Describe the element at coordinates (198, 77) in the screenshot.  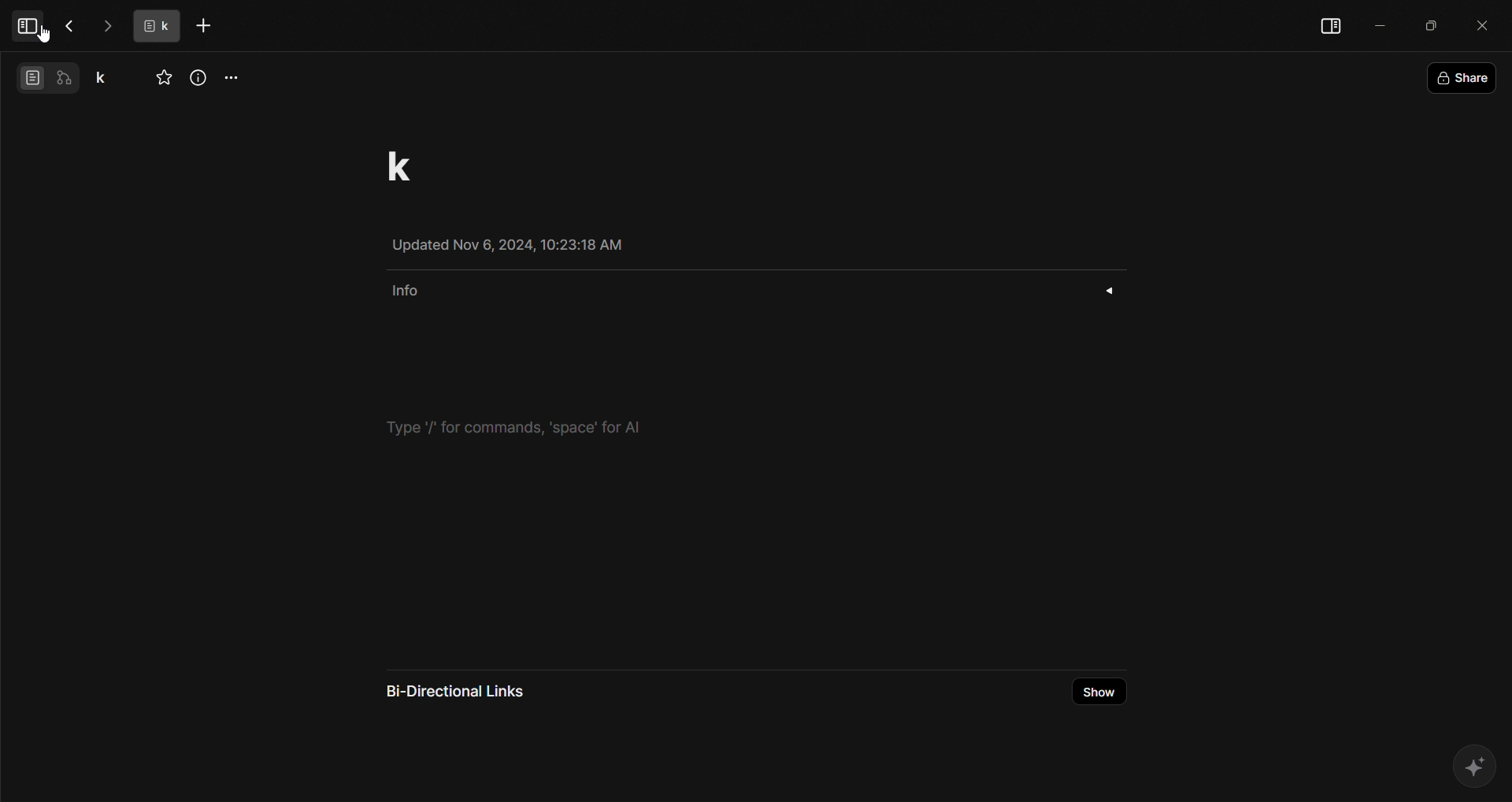
I see `view info` at that location.